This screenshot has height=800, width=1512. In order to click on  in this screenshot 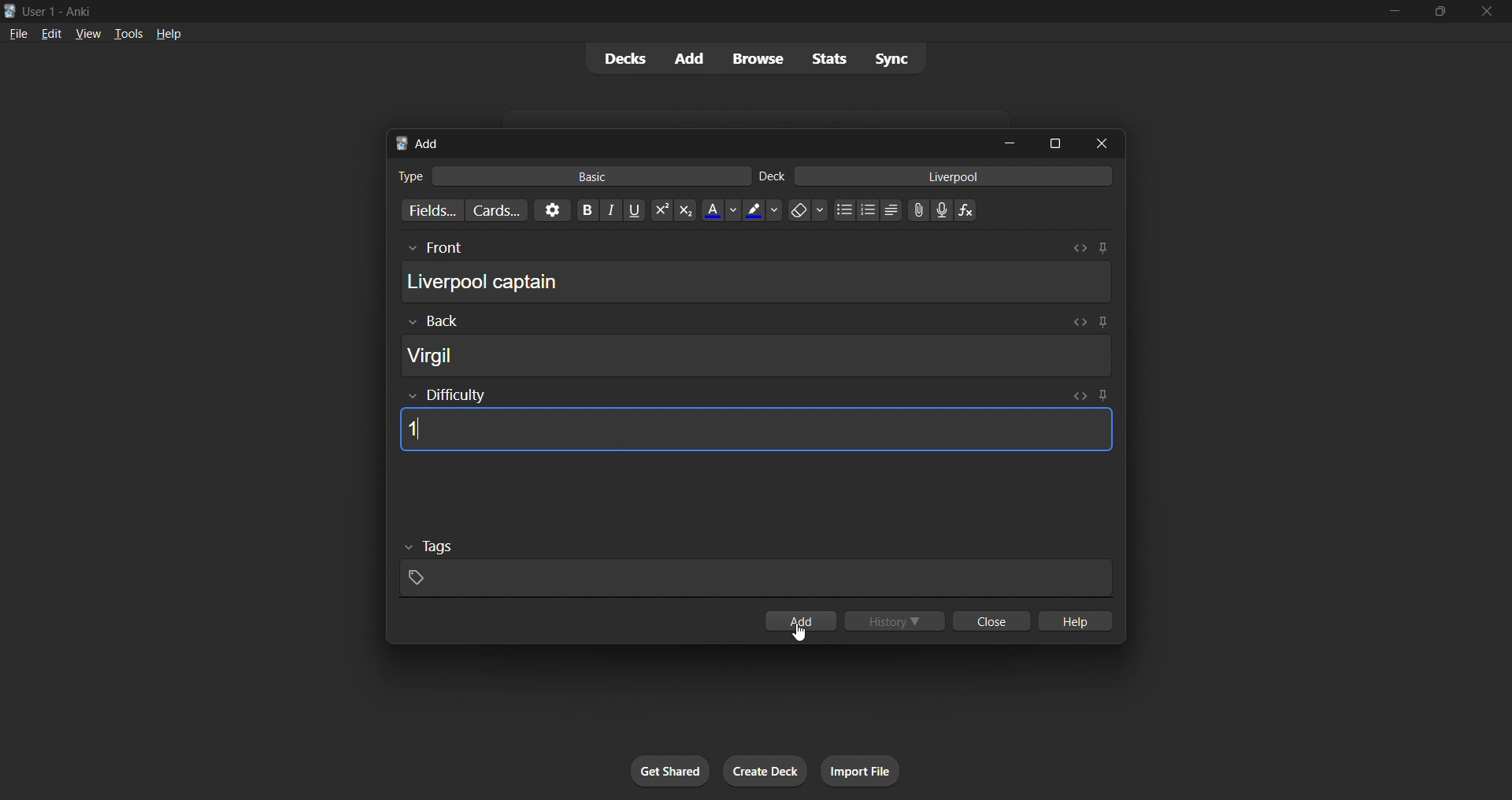, I will do `click(430, 547)`.